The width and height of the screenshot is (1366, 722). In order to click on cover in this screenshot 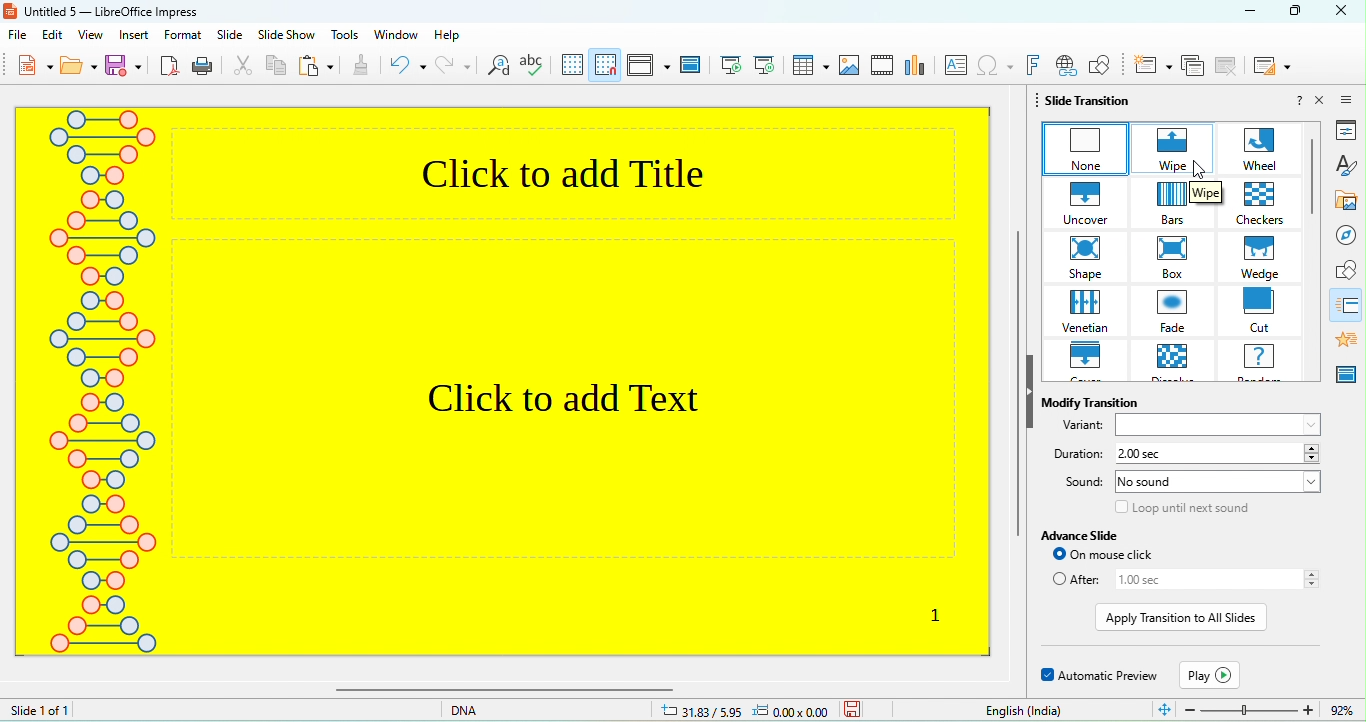, I will do `click(1086, 362)`.